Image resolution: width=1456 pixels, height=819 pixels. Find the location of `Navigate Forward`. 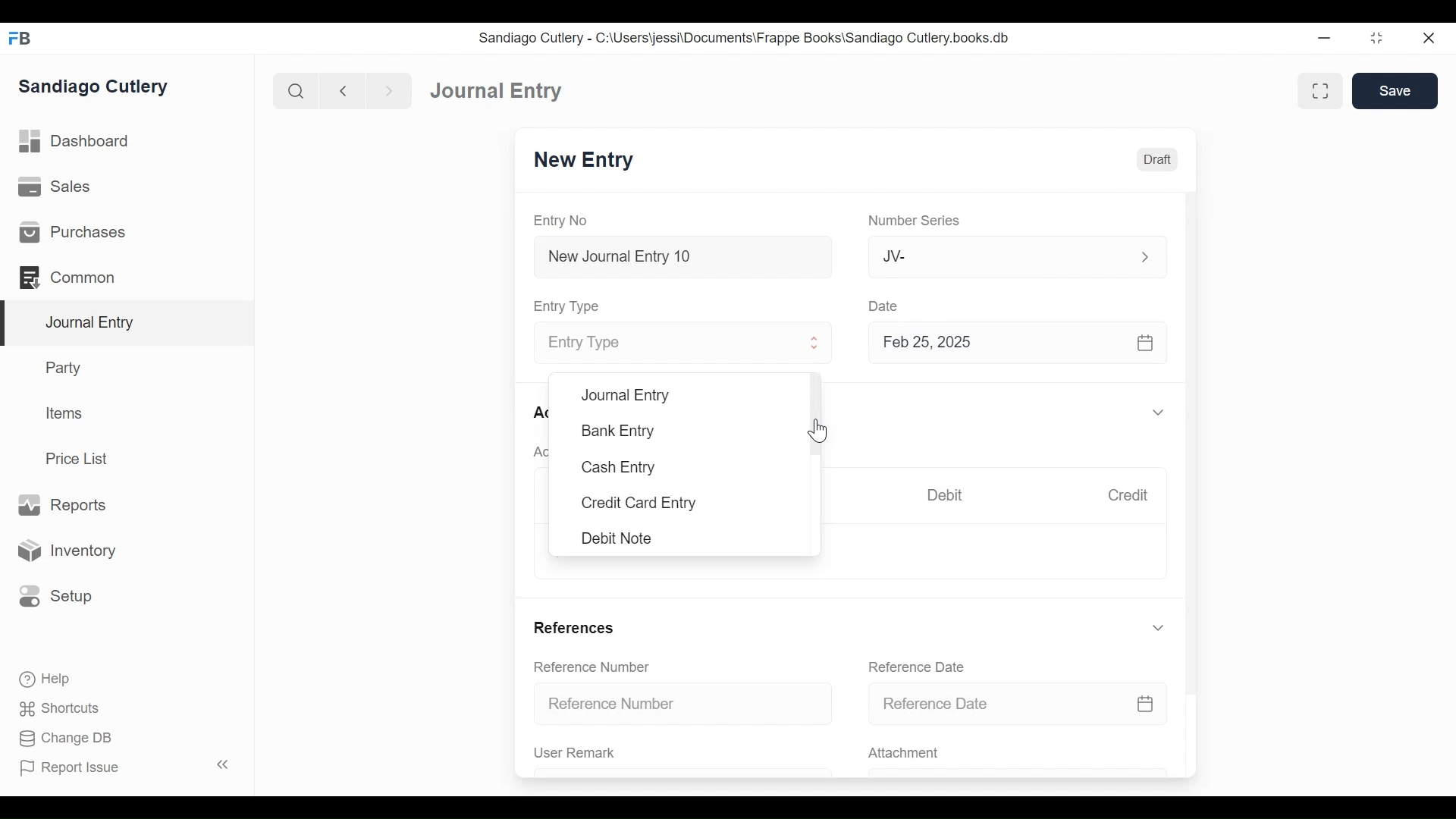

Navigate Forward is located at coordinates (390, 89).